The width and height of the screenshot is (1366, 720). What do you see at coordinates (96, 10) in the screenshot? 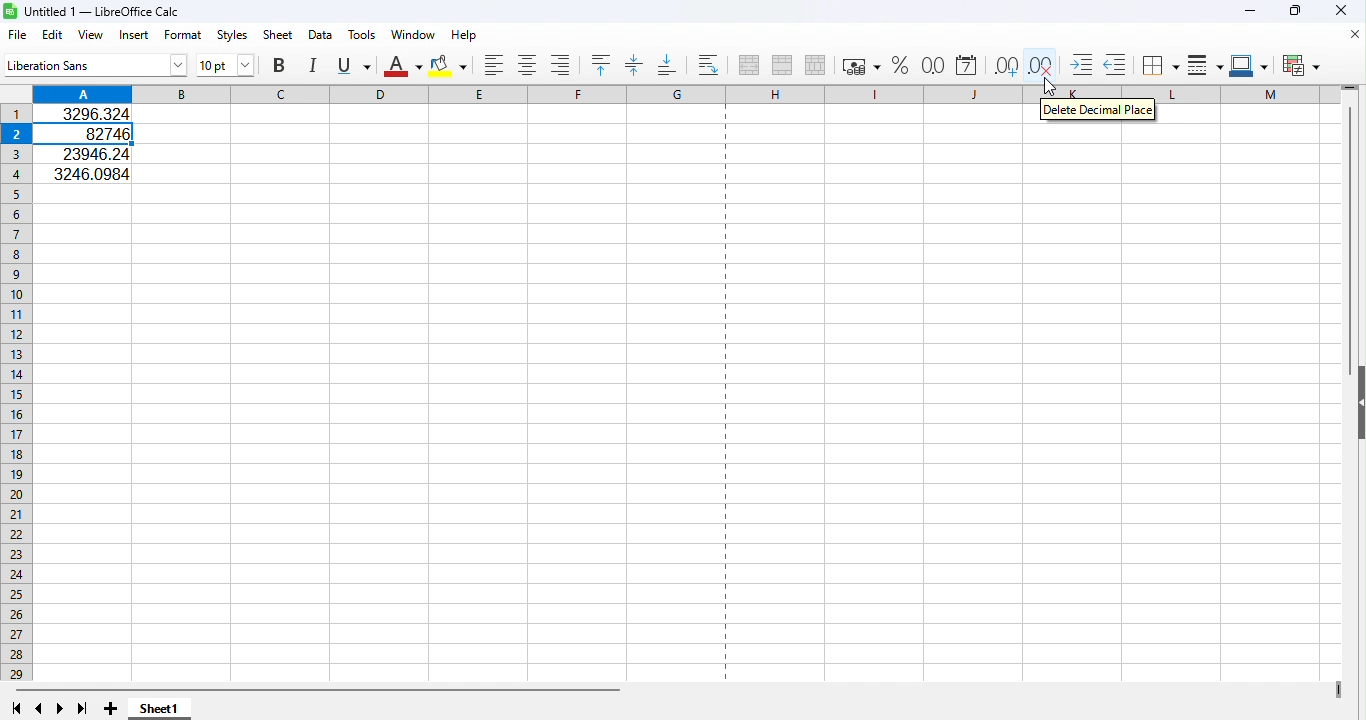
I see `Untitled 1 — LibreOffice Calc.` at bounding box center [96, 10].